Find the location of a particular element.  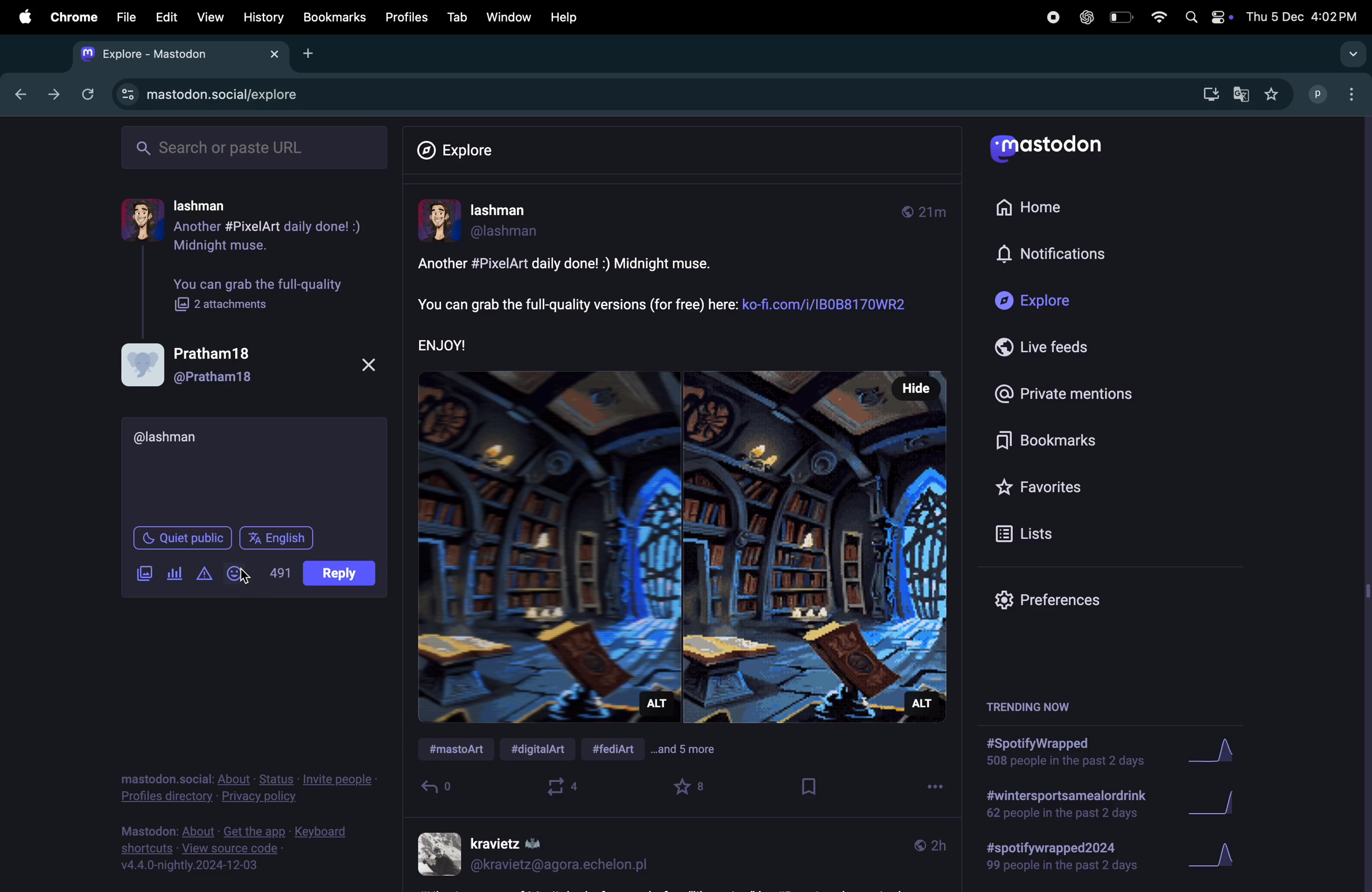

reply is located at coordinates (439, 789).